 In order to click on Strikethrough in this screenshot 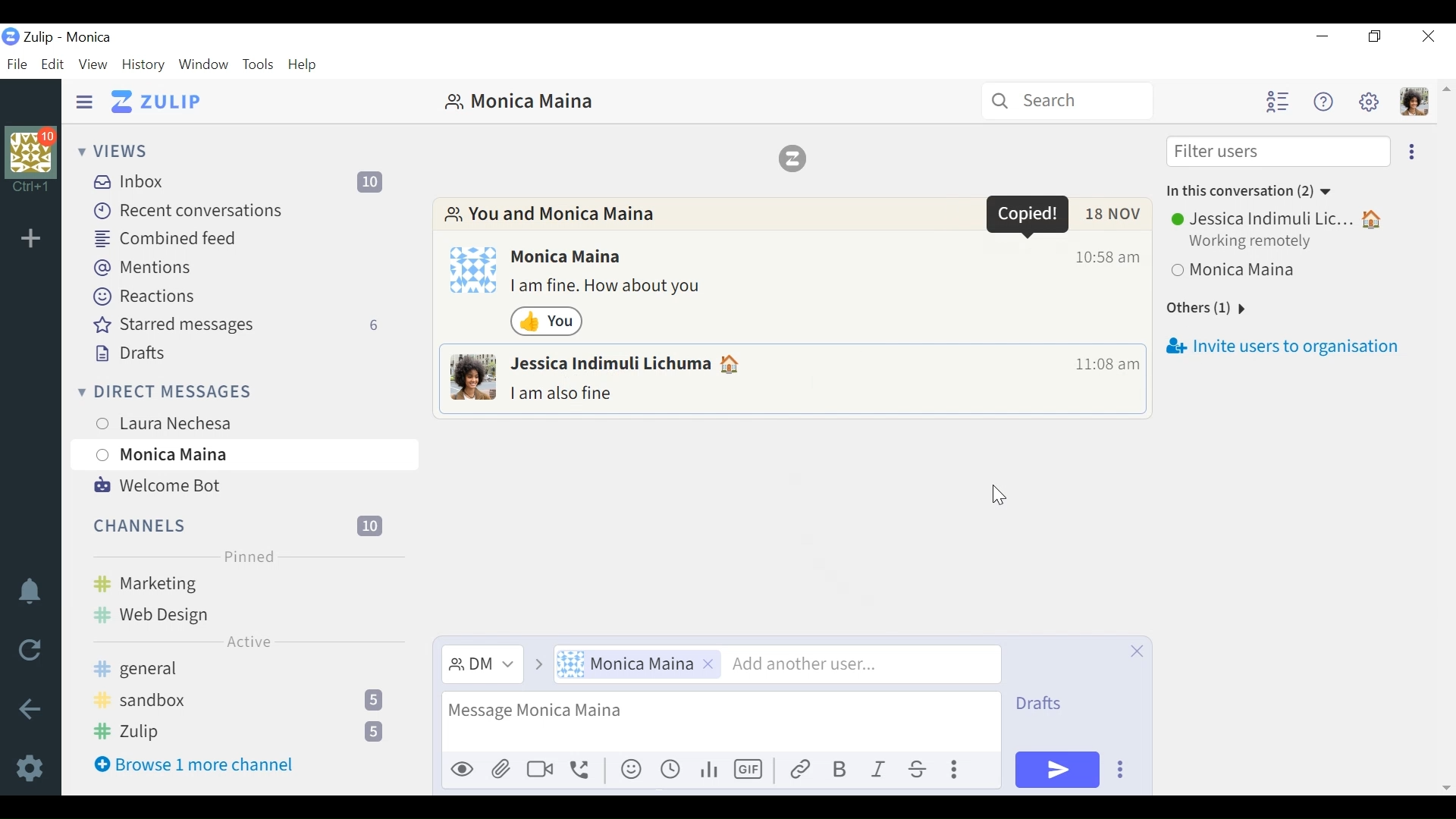, I will do `click(921, 770)`.